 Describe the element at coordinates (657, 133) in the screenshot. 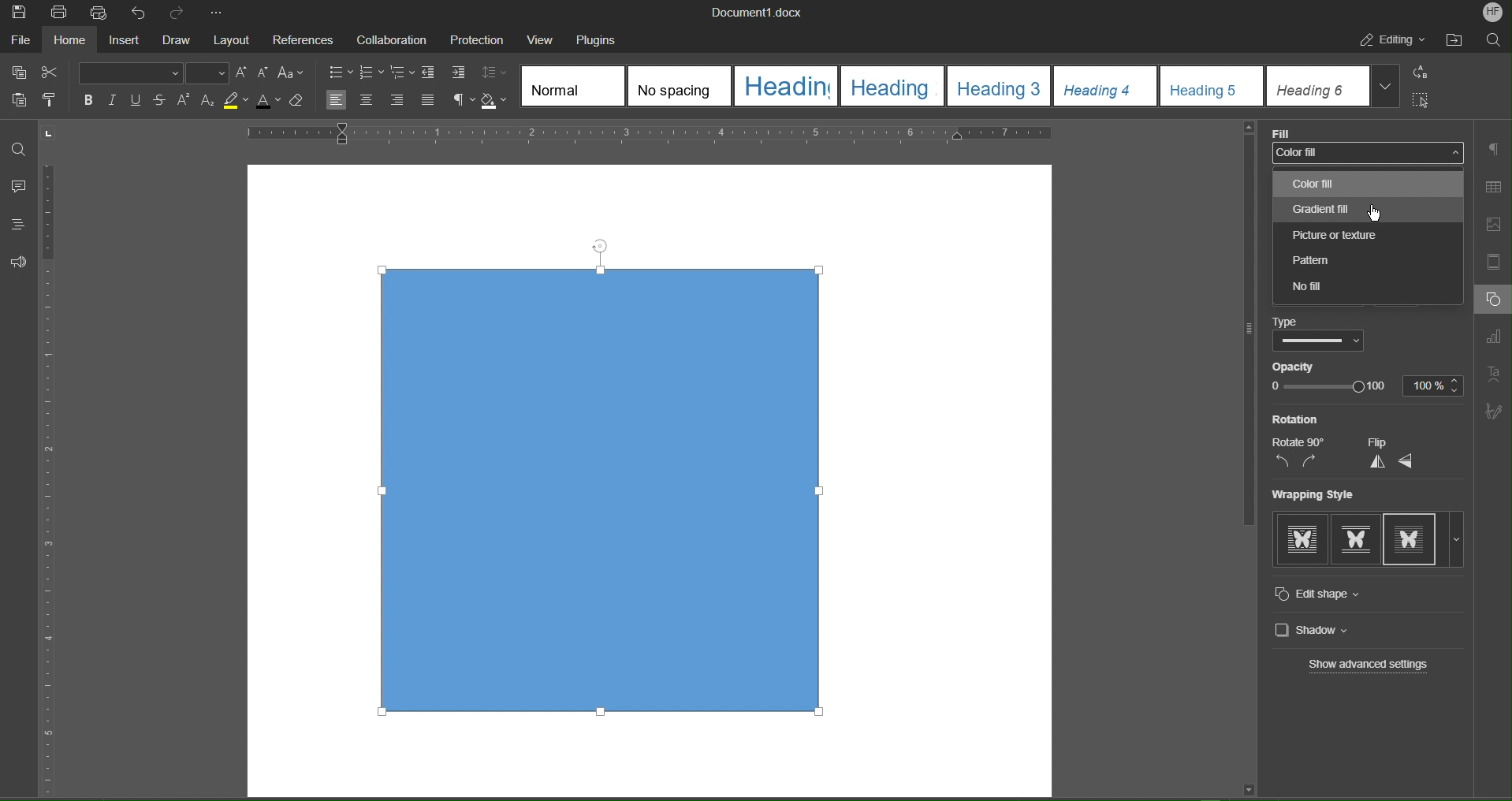

I see `Horizontal Ruler` at that location.